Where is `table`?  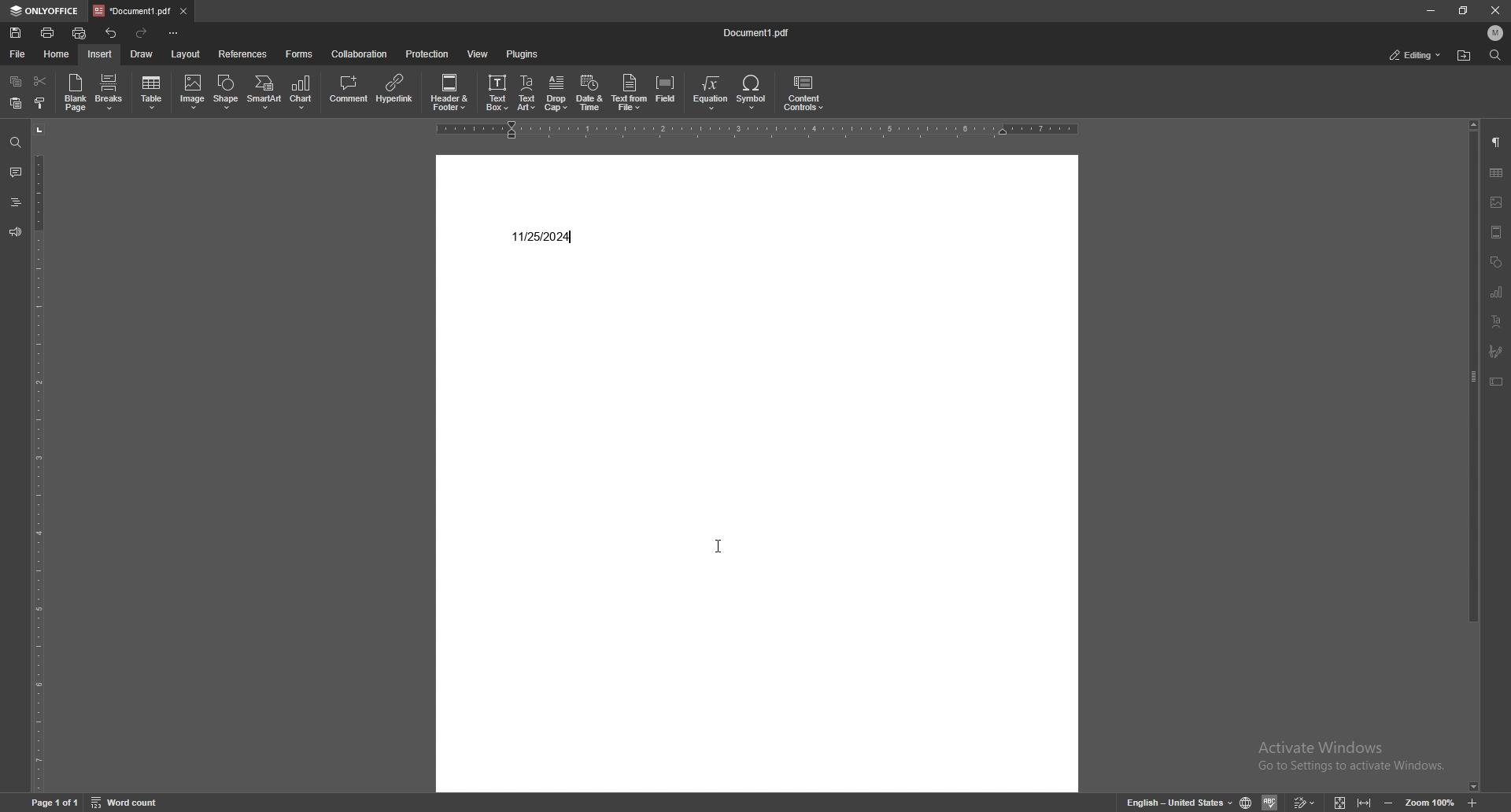 table is located at coordinates (152, 94).